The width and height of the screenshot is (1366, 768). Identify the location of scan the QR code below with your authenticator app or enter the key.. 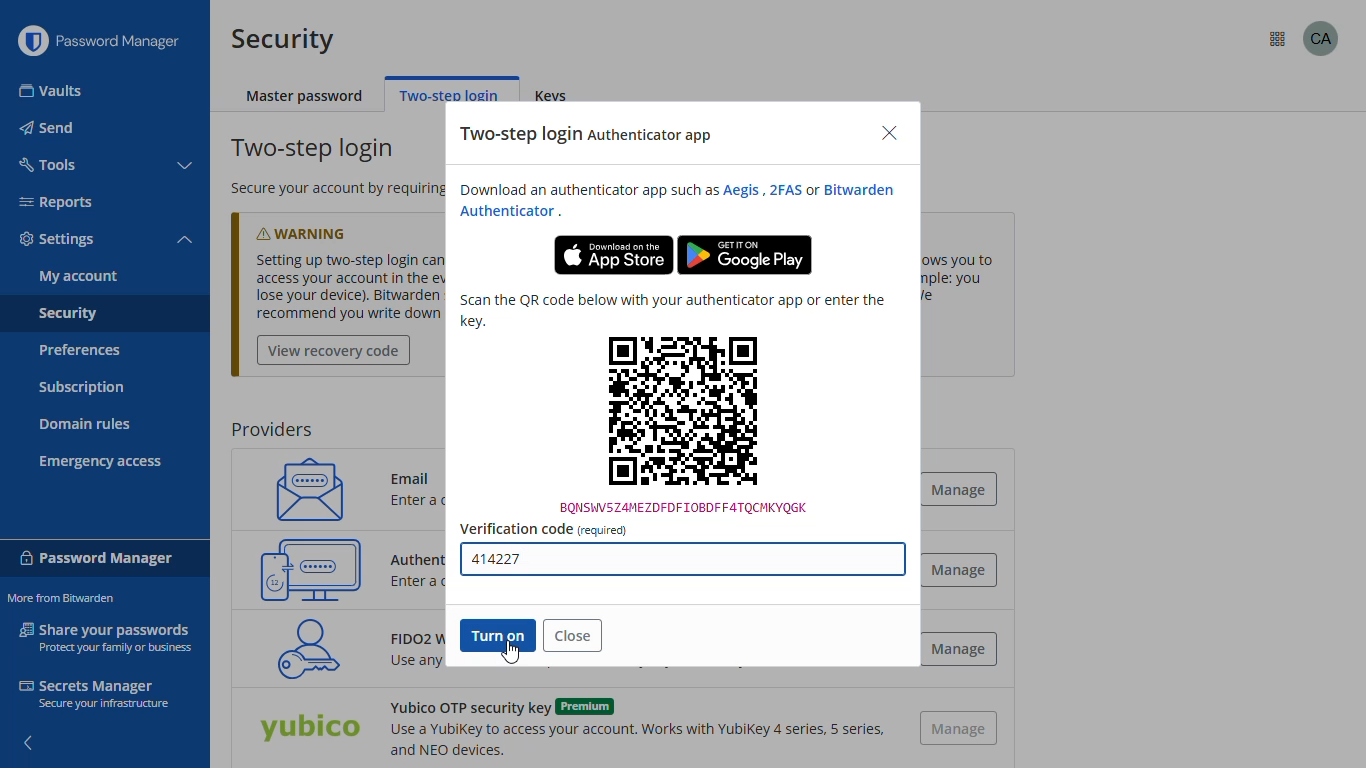
(672, 310).